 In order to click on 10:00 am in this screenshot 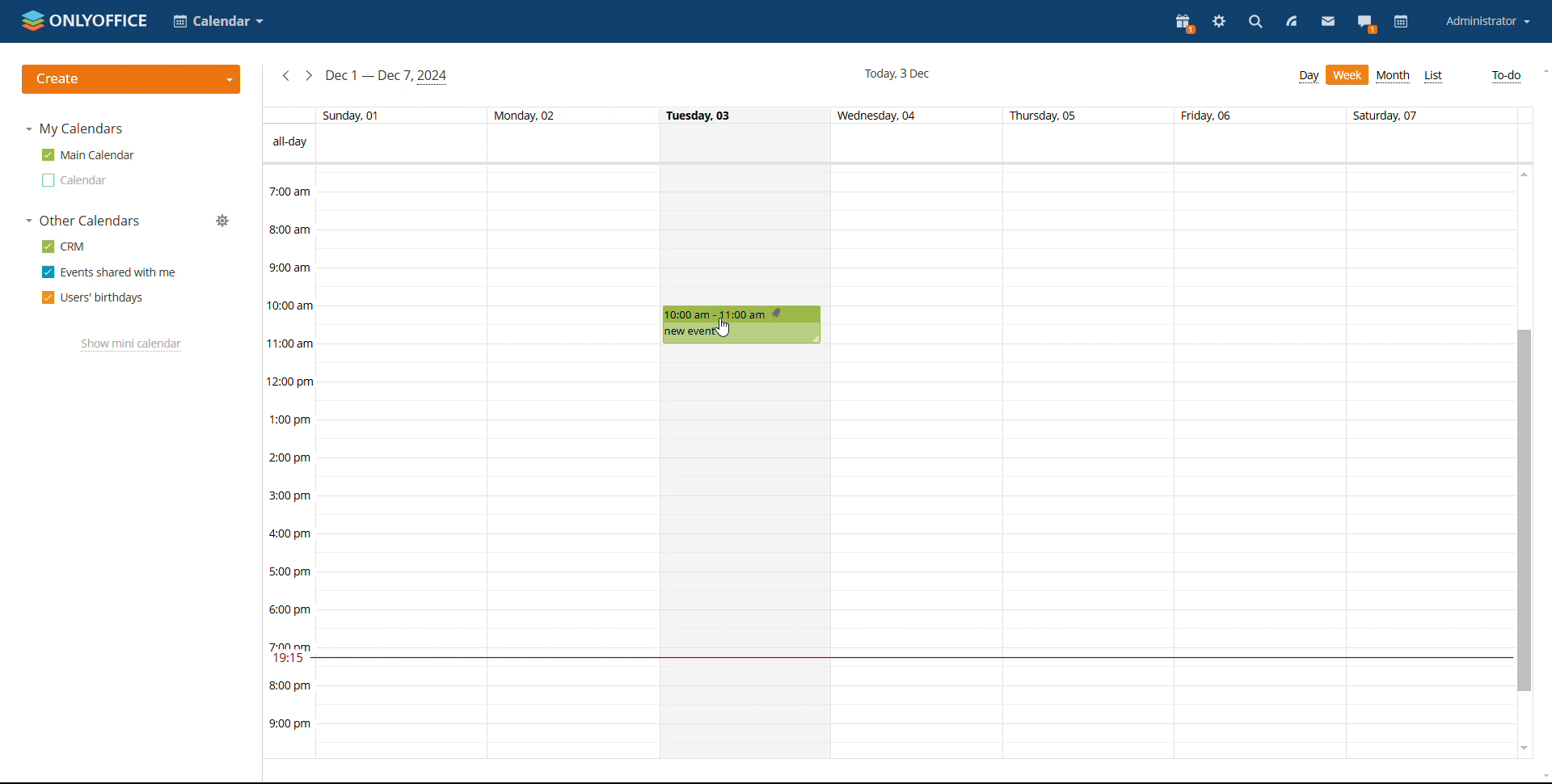, I will do `click(293, 306)`.